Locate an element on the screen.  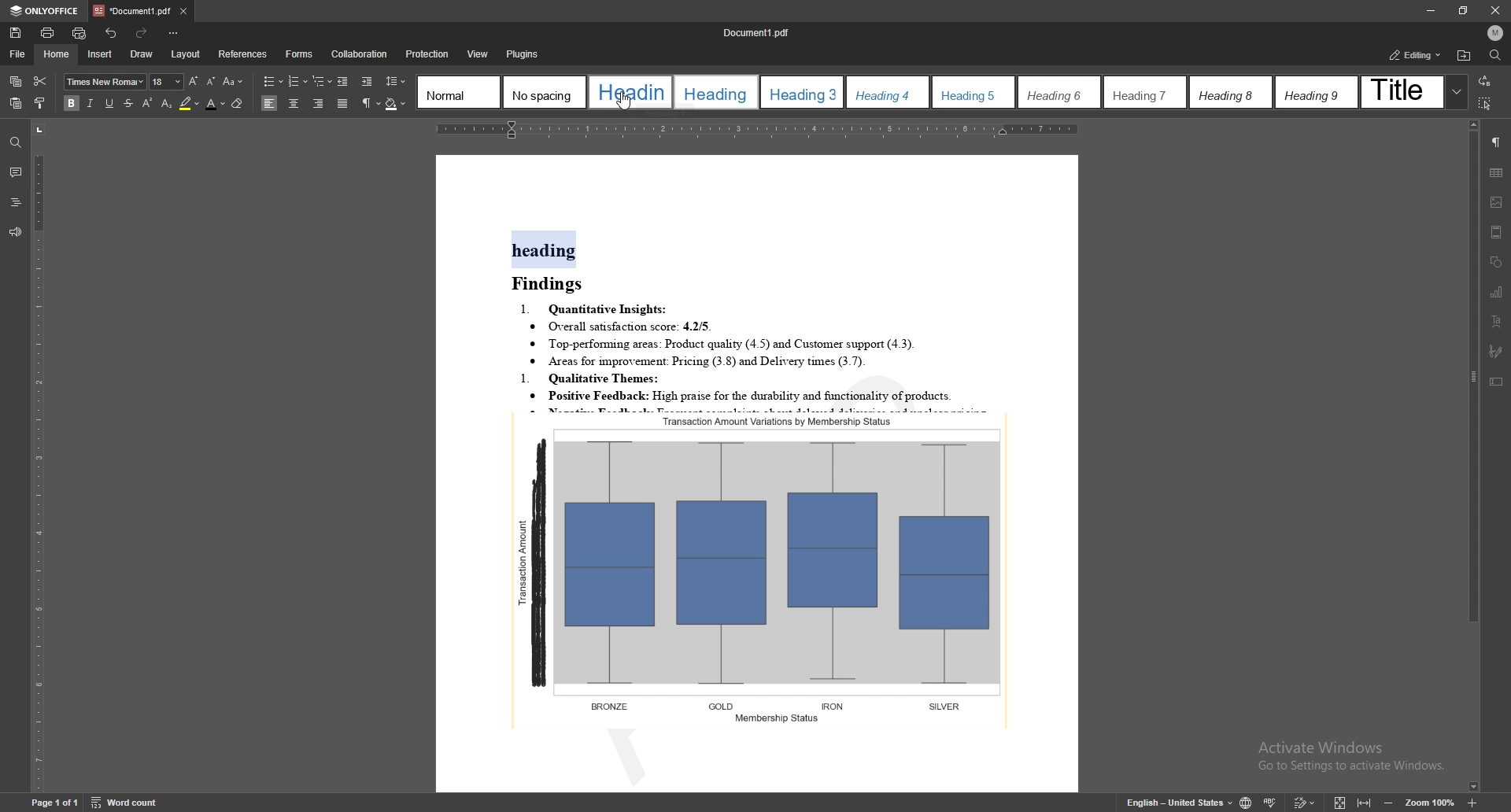
bullets is located at coordinates (273, 81).